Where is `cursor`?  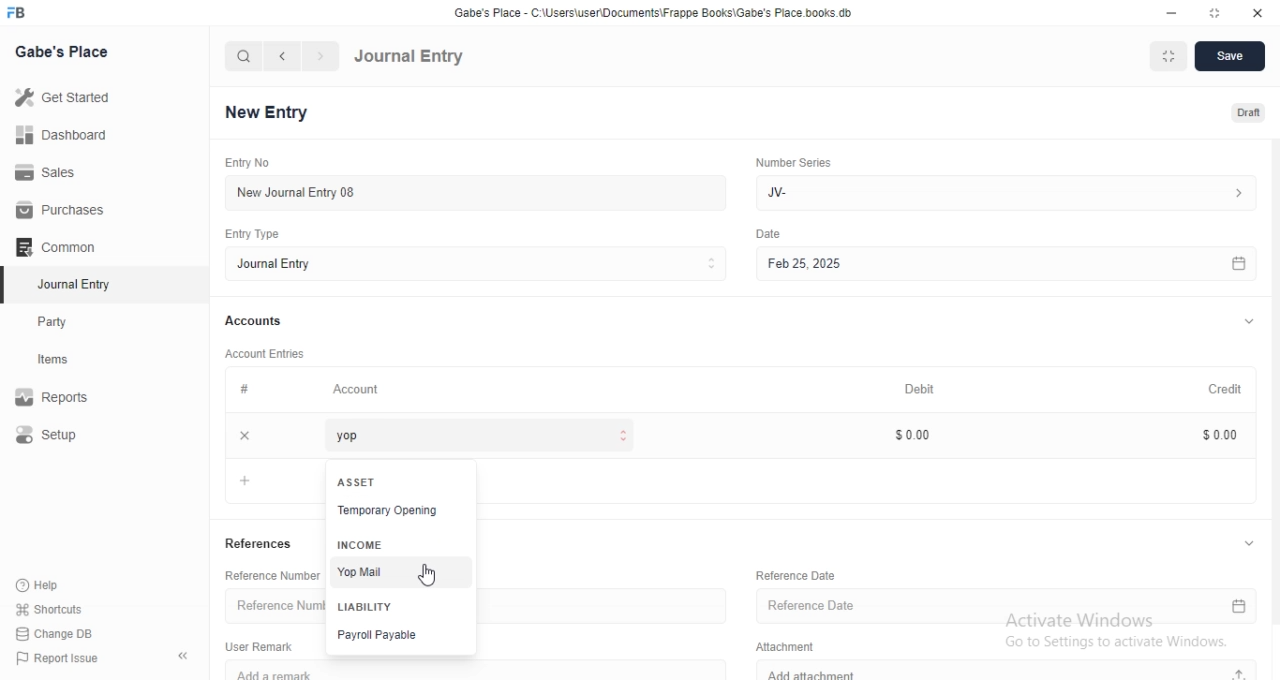 cursor is located at coordinates (432, 575).